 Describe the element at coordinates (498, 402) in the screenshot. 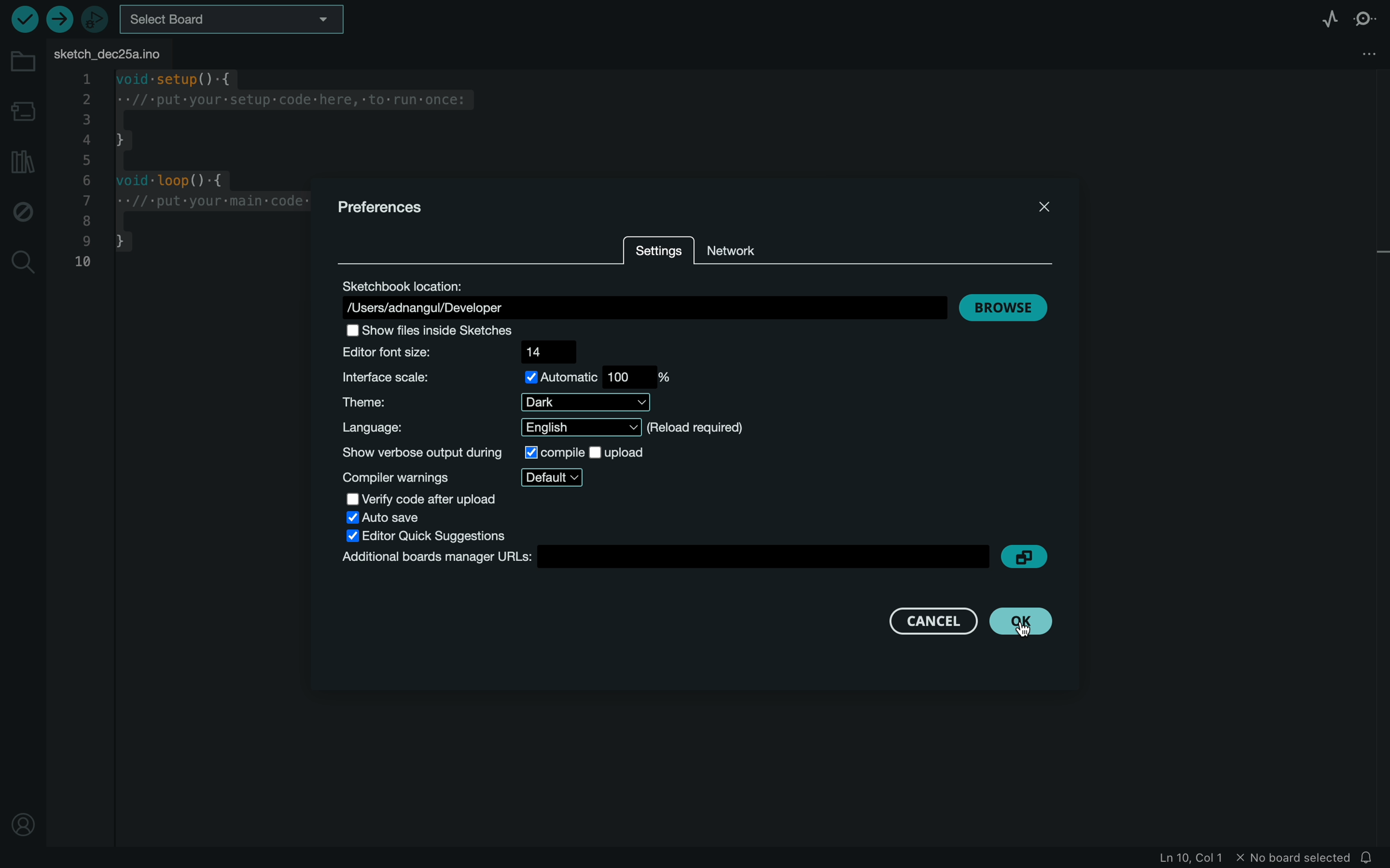

I see `theme` at that location.